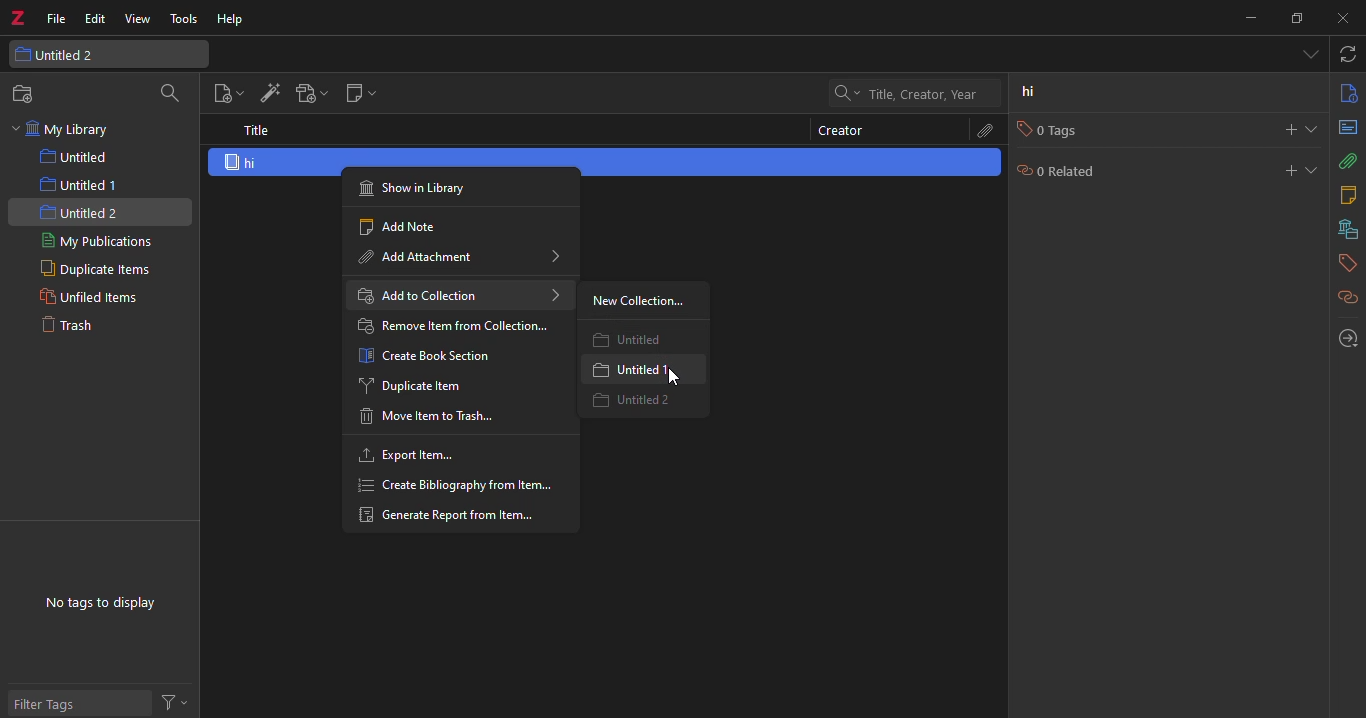 The image size is (1366, 718). I want to click on show in history, so click(419, 187).